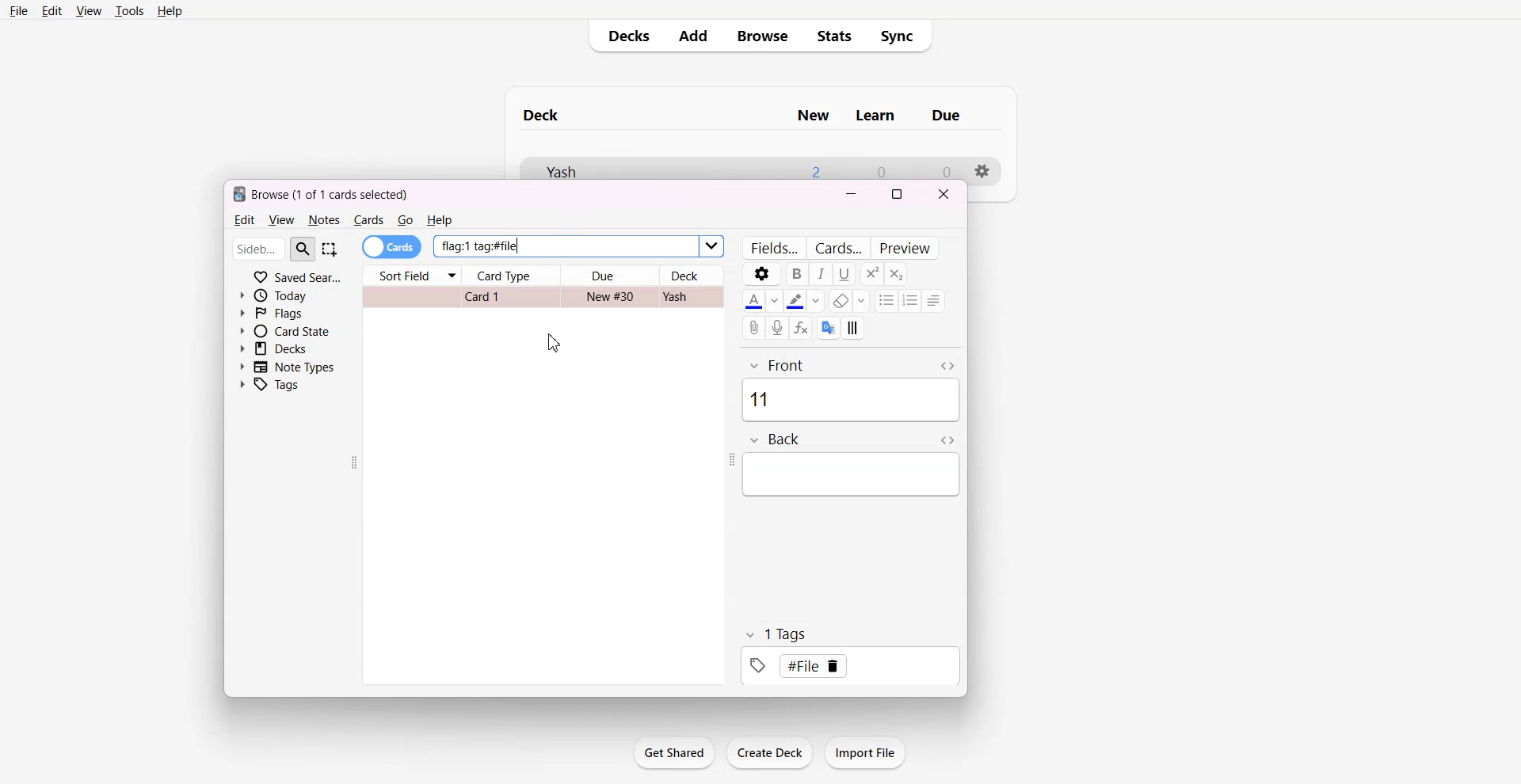 This screenshot has height=784, width=1521. Describe the element at coordinates (908, 246) in the screenshot. I see `Preview` at that location.